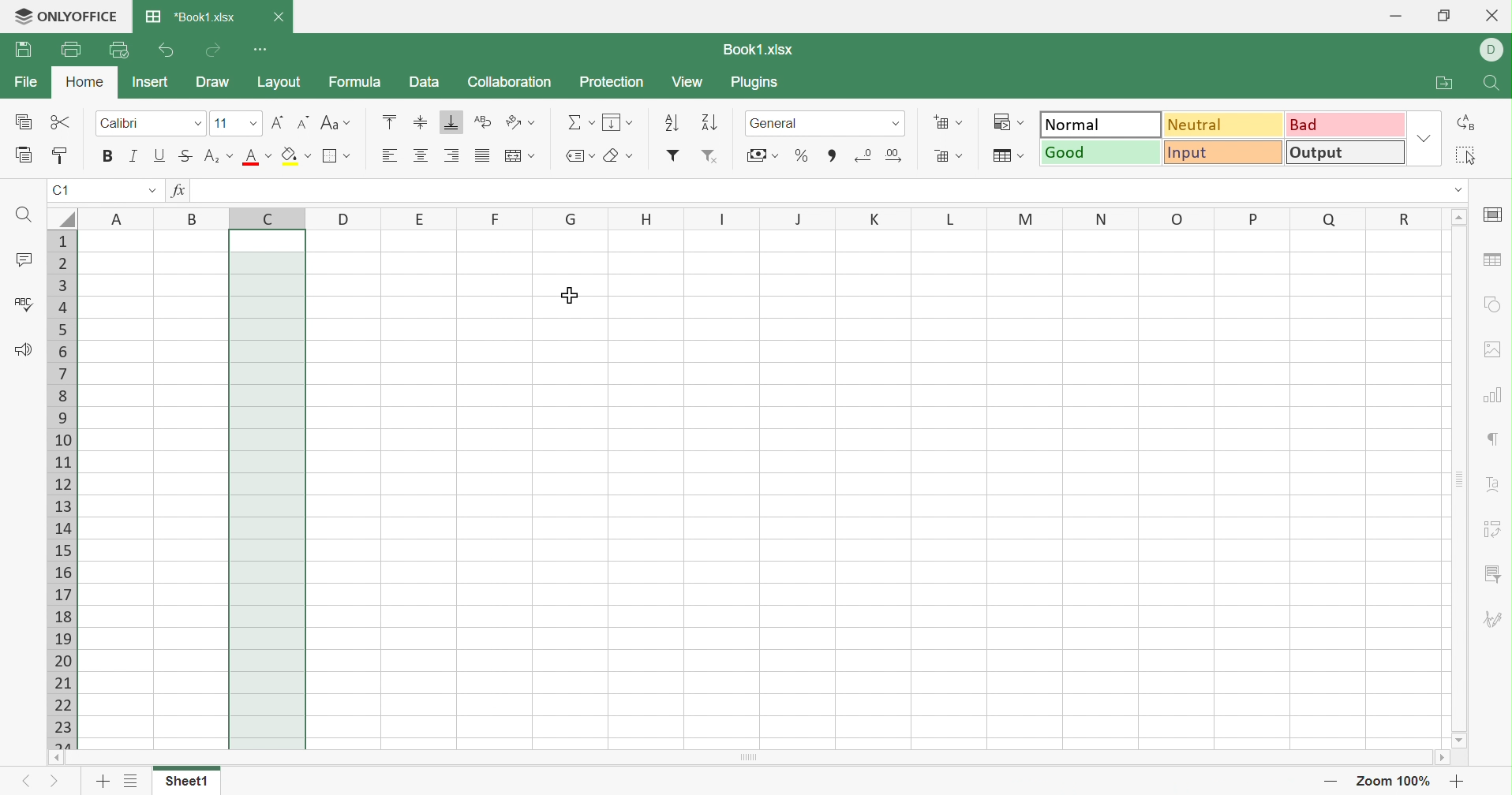 The height and width of the screenshot is (795, 1512). Describe the element at coordinates (1492, 81) in the screenshot. I see `Find` at that location.